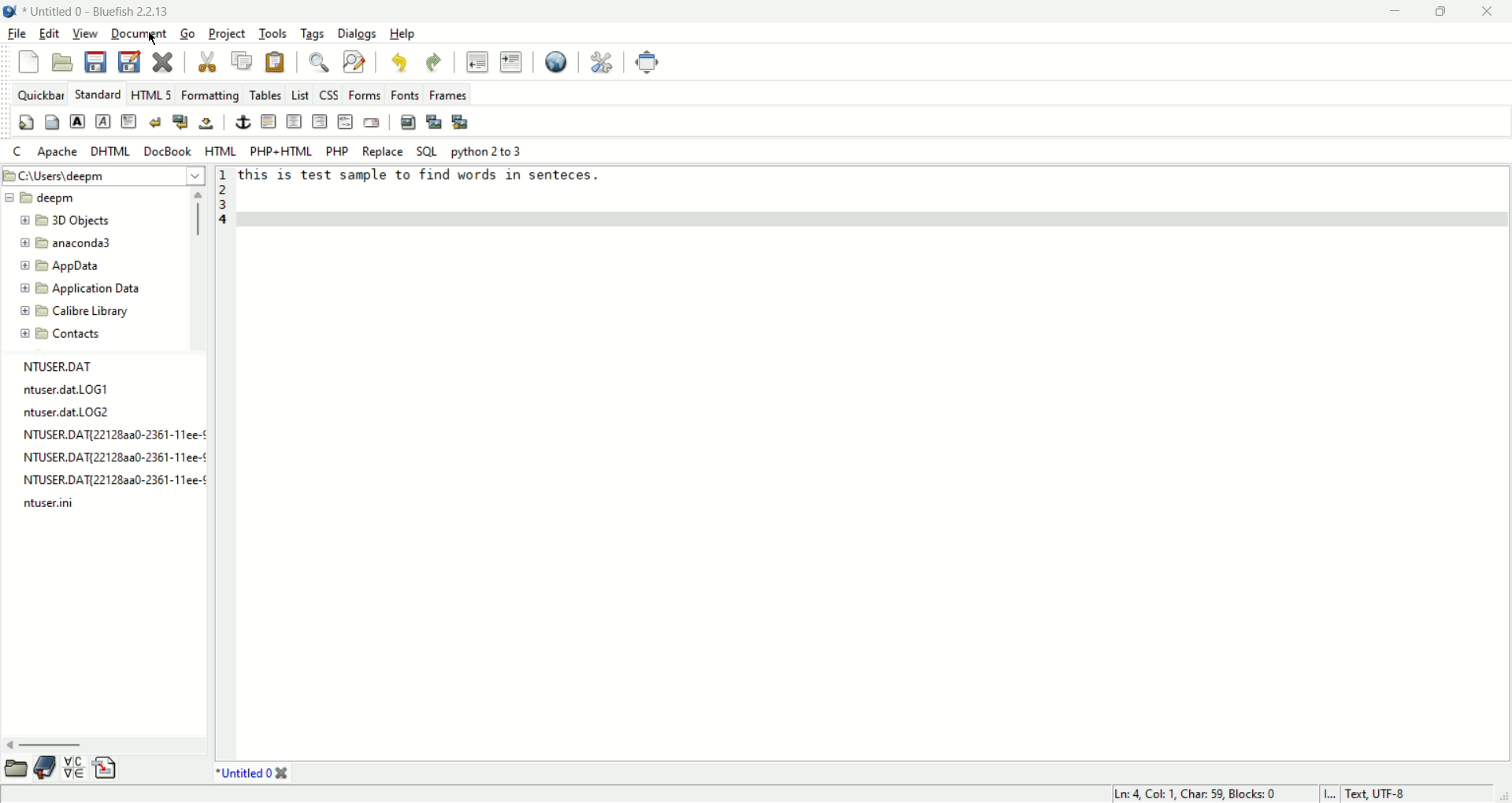 This screenshot has height=803, width=1512. Describe the element at coordinates (102, 9) in the screenshot. I see `* Untitled 0 - Bluefish 2. 2. 13 ` at that location.